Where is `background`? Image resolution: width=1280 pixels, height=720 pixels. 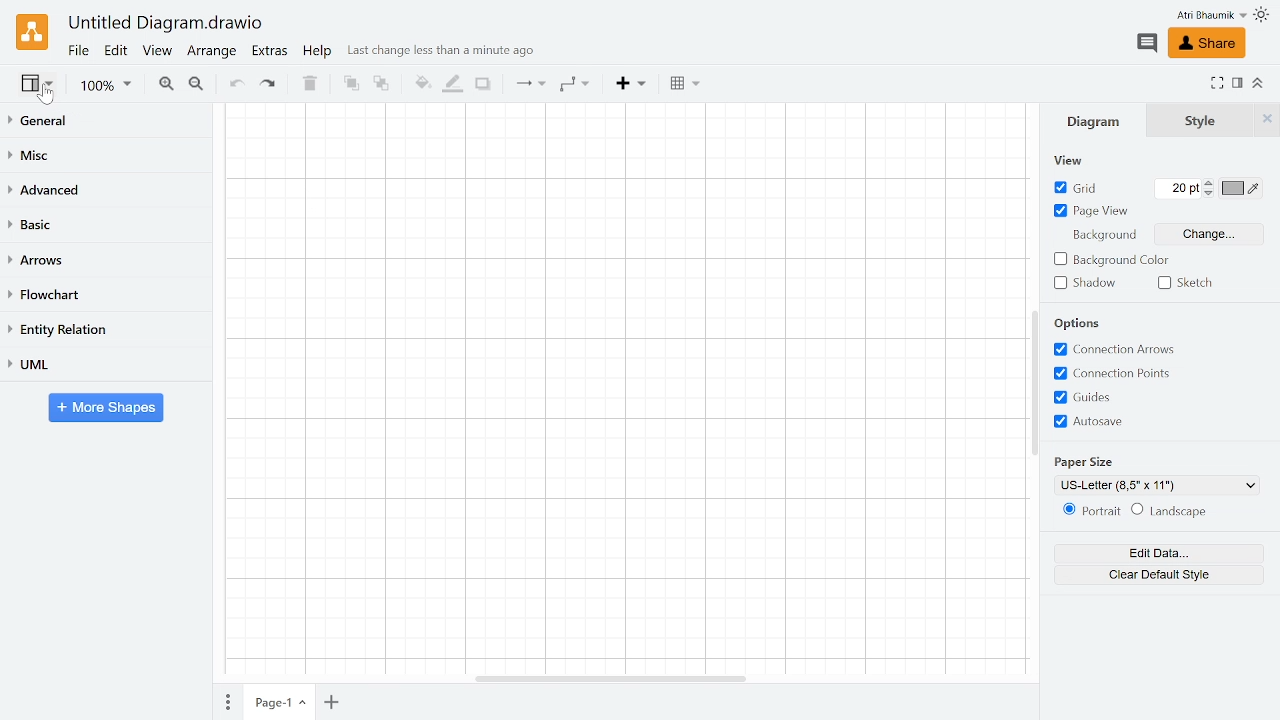
background is located at coordinates (1101, 232).